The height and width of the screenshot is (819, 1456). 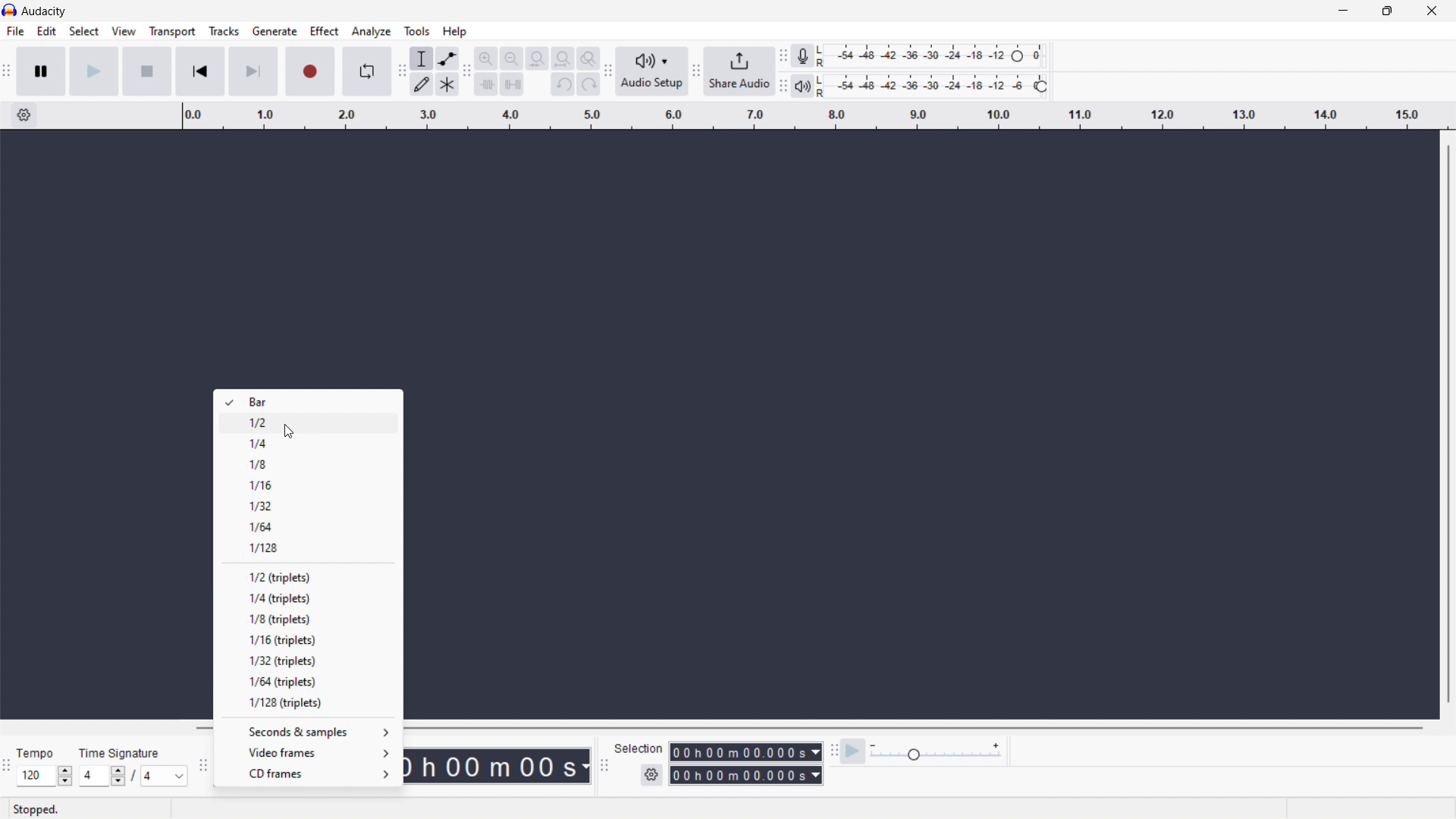 I want to click on share audio, so click(x=739, y=71).